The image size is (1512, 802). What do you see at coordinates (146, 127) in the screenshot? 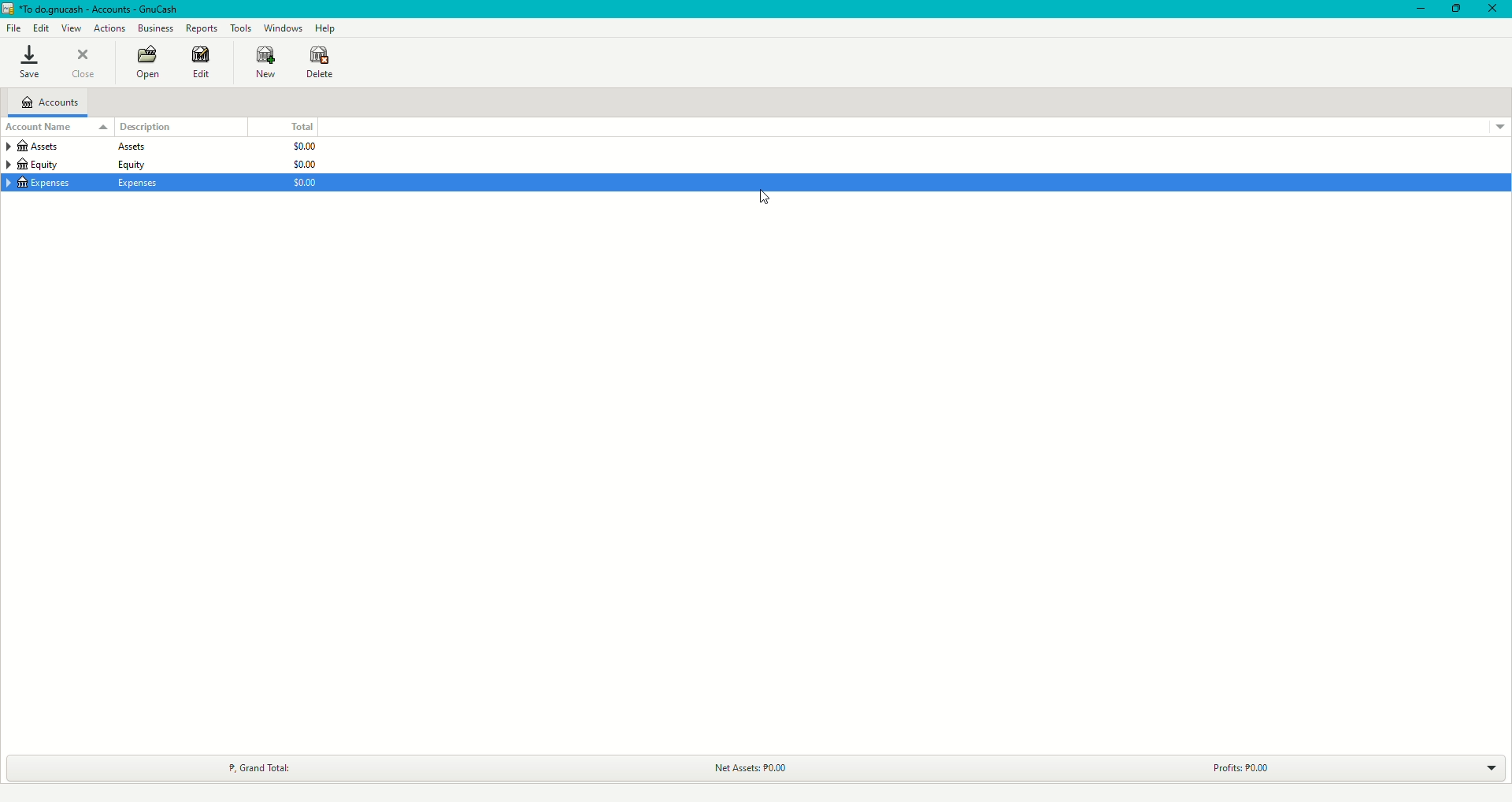
I see `Description` at bounding box center [146, 127].